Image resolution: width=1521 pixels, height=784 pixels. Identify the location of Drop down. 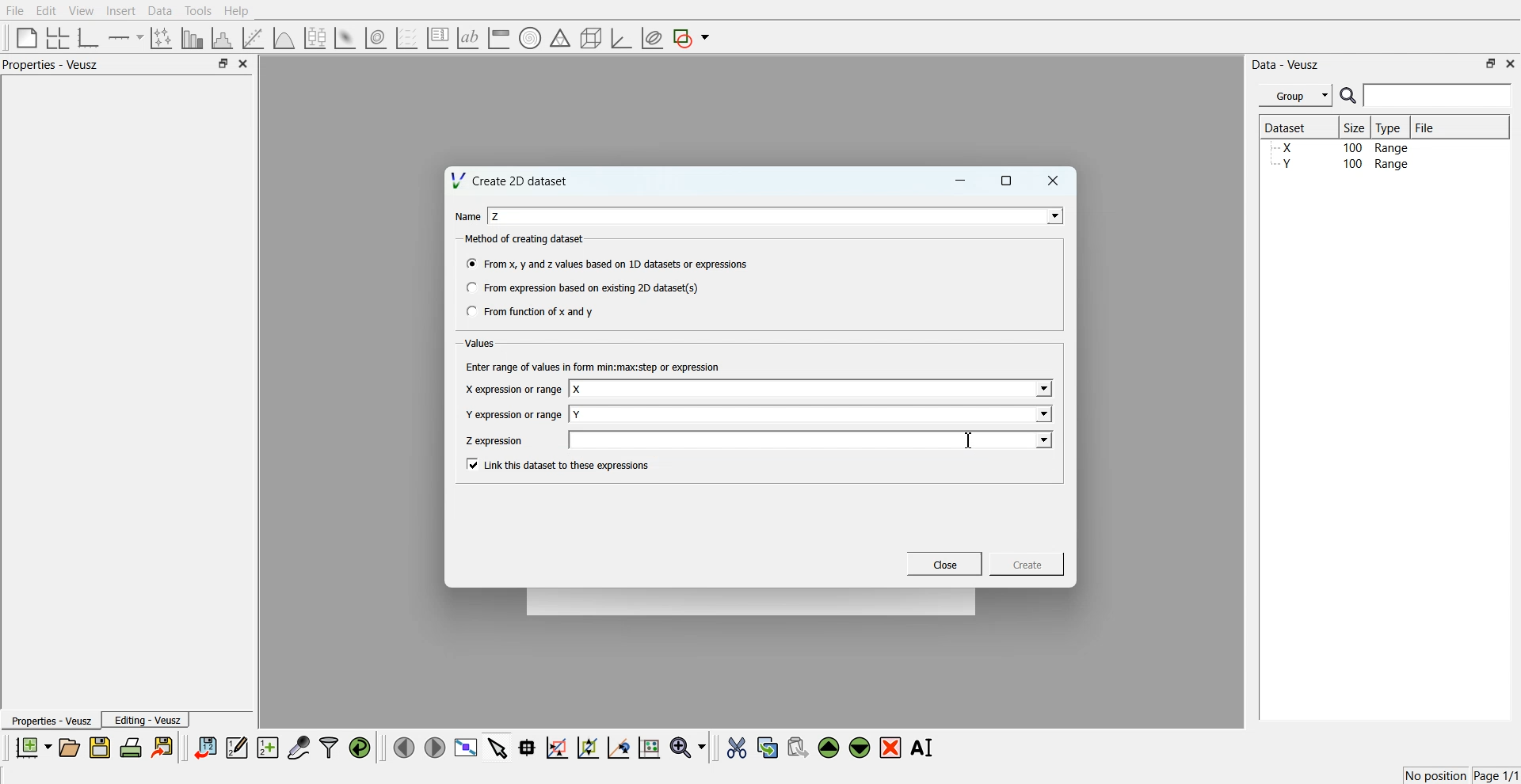
(1042, 413).